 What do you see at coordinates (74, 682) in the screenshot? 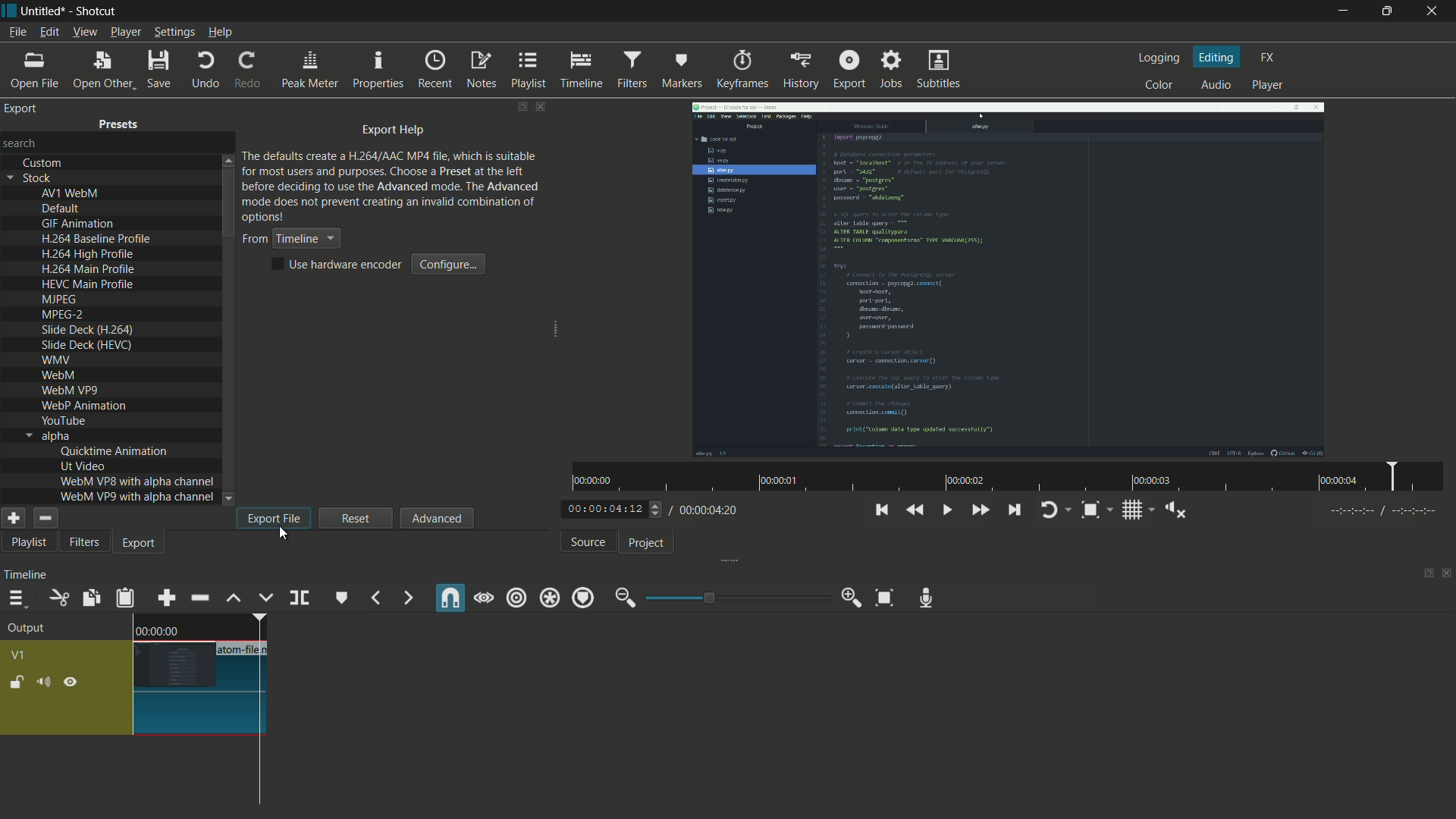
I see `hide` at bounding box center [74, 682].